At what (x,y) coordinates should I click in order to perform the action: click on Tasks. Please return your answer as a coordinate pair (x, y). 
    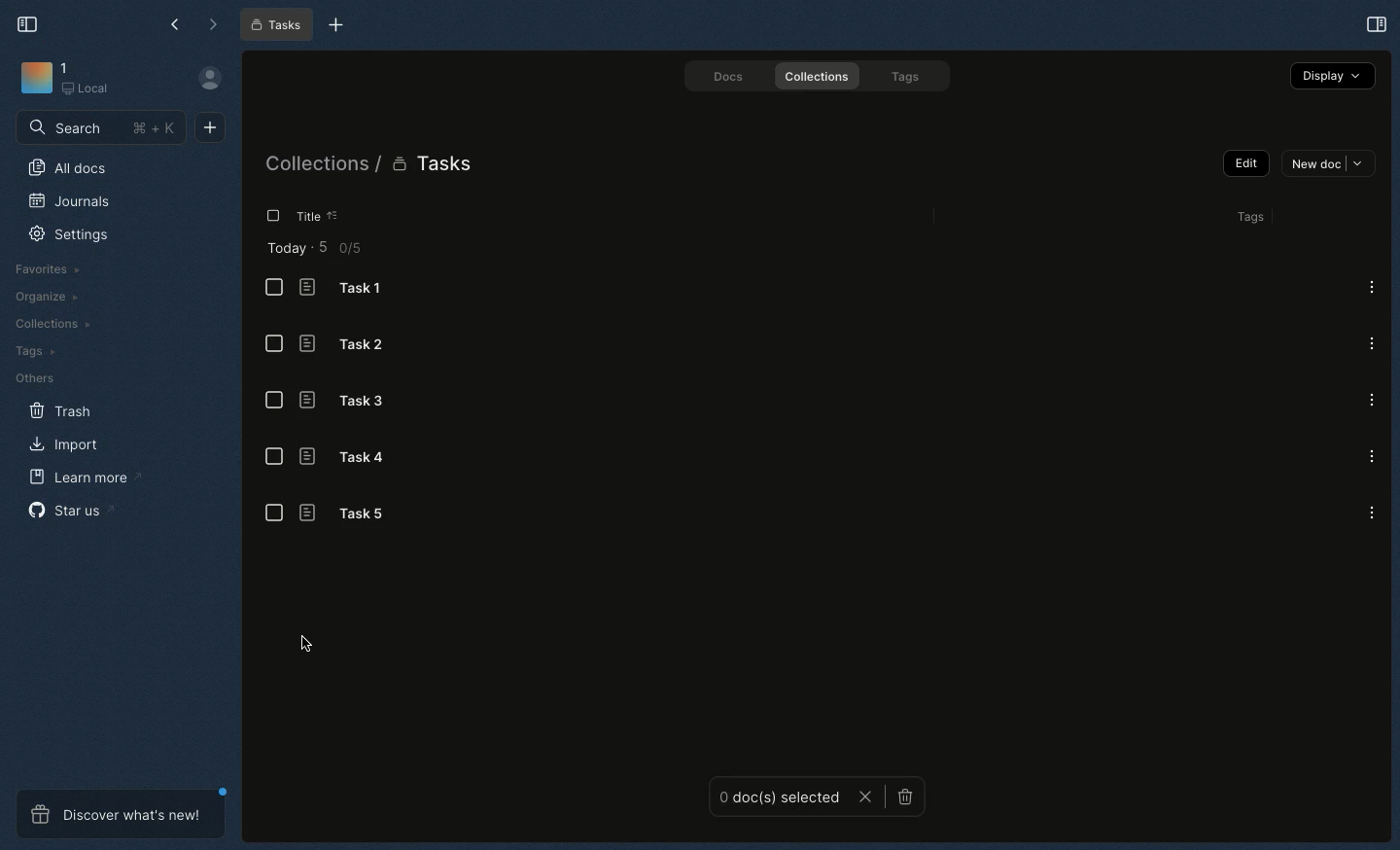
    Looking at the image, I should click on (436, 166).